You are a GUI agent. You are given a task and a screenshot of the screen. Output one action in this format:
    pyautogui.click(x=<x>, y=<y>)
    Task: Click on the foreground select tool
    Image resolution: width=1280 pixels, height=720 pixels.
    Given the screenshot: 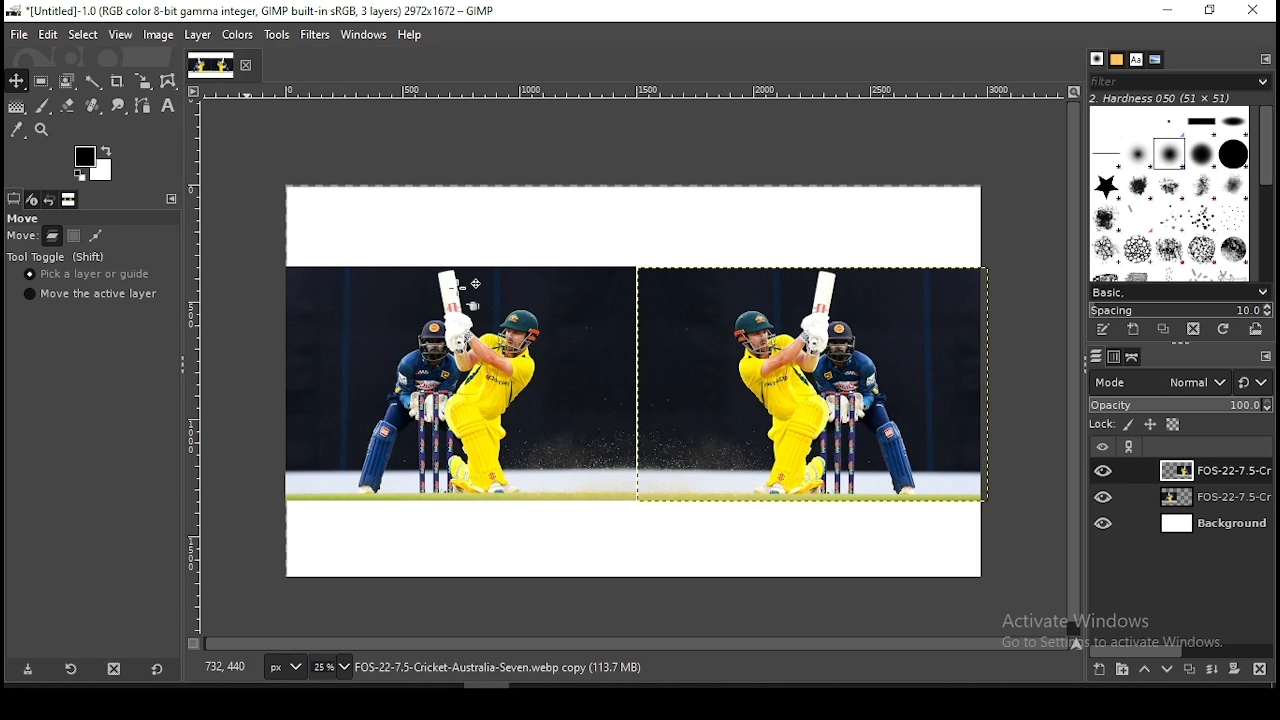 What is the action you would take?
    pyautogui.click(x=68, y=79)
    